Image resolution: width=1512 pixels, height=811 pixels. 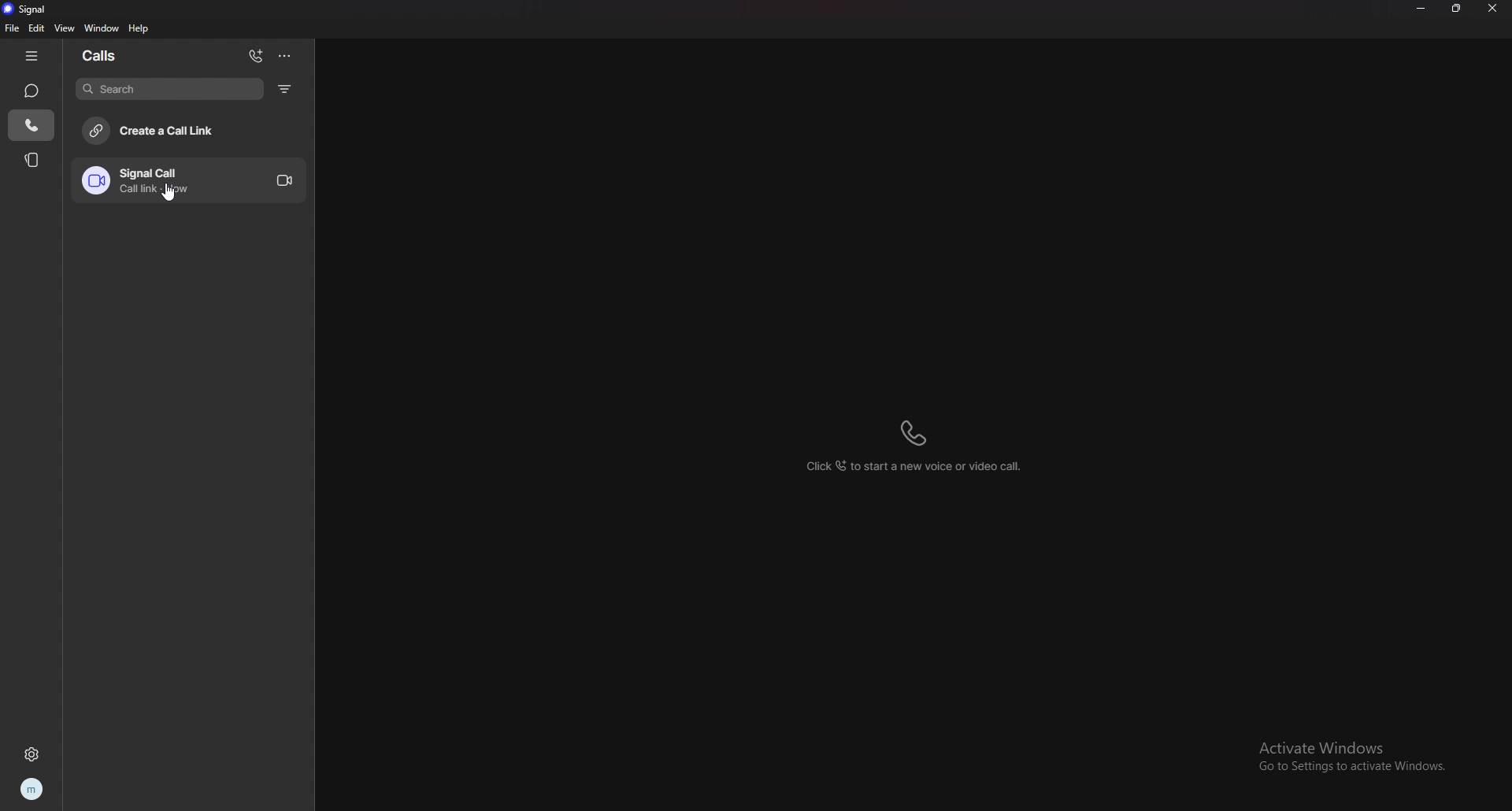 What do you see at coordinates (30, 128) in the screenshot?
I see `call` at bounding box center [30, 128].